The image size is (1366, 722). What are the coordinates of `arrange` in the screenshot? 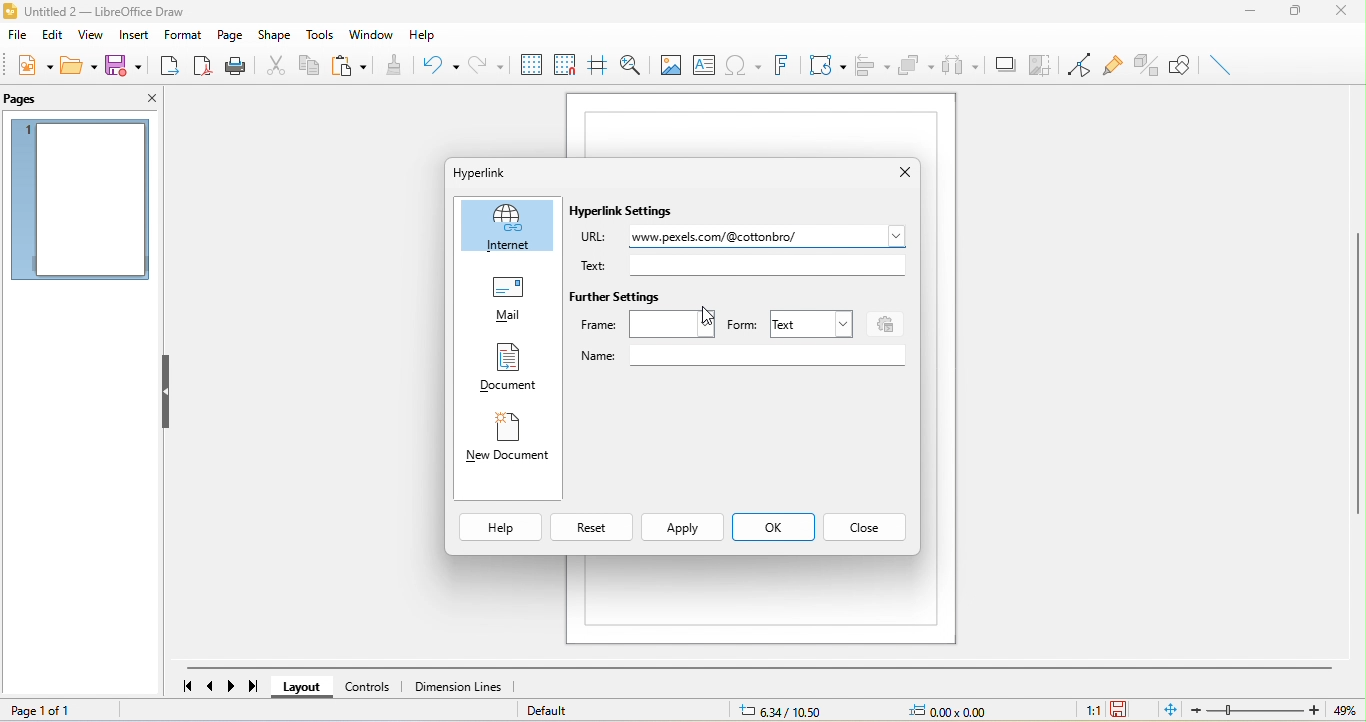 It's located at (917, 65).